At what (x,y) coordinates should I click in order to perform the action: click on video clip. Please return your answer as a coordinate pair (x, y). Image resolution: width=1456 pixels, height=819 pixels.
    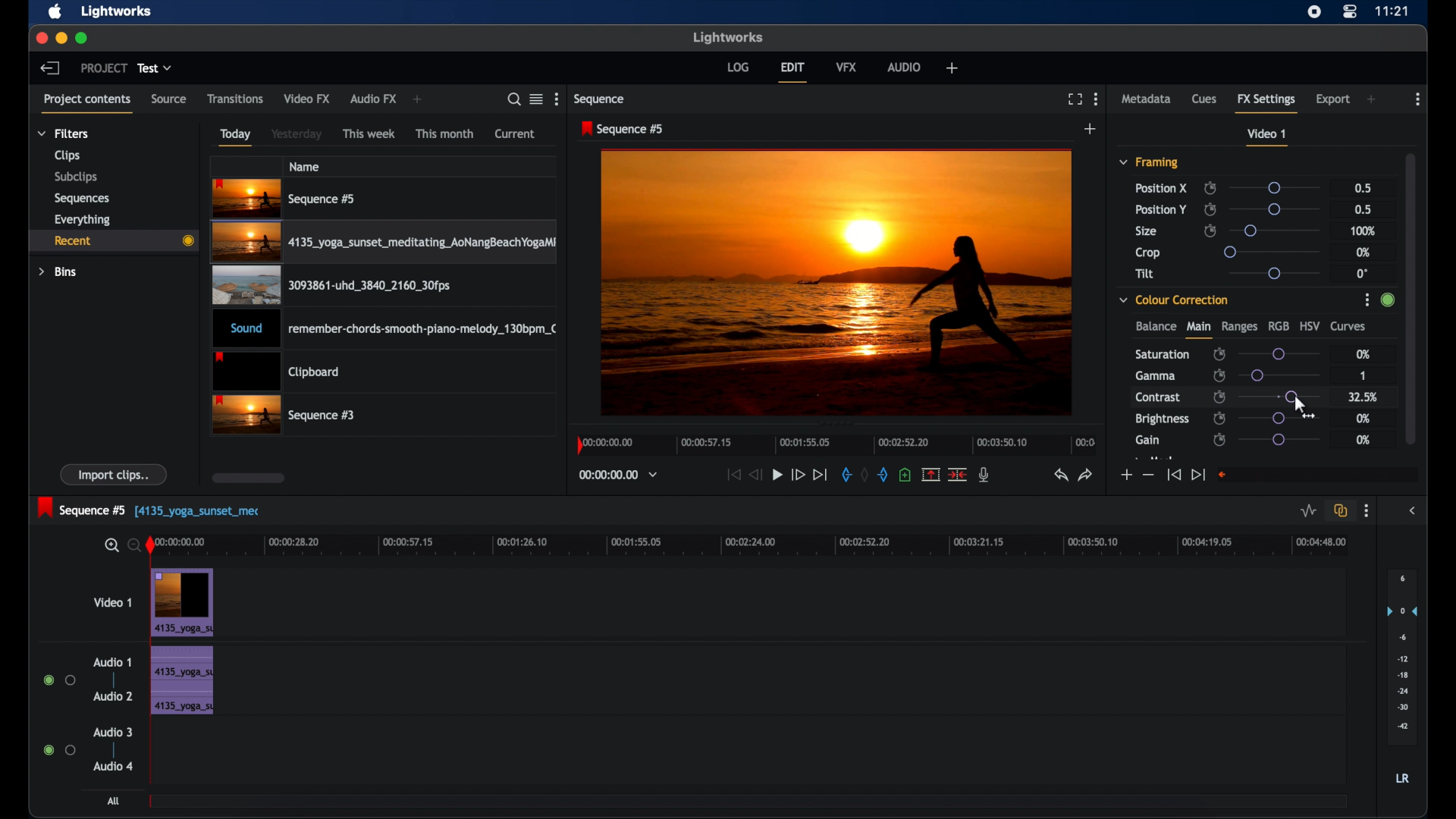
    Looking at the image, I should click on (386, 244).